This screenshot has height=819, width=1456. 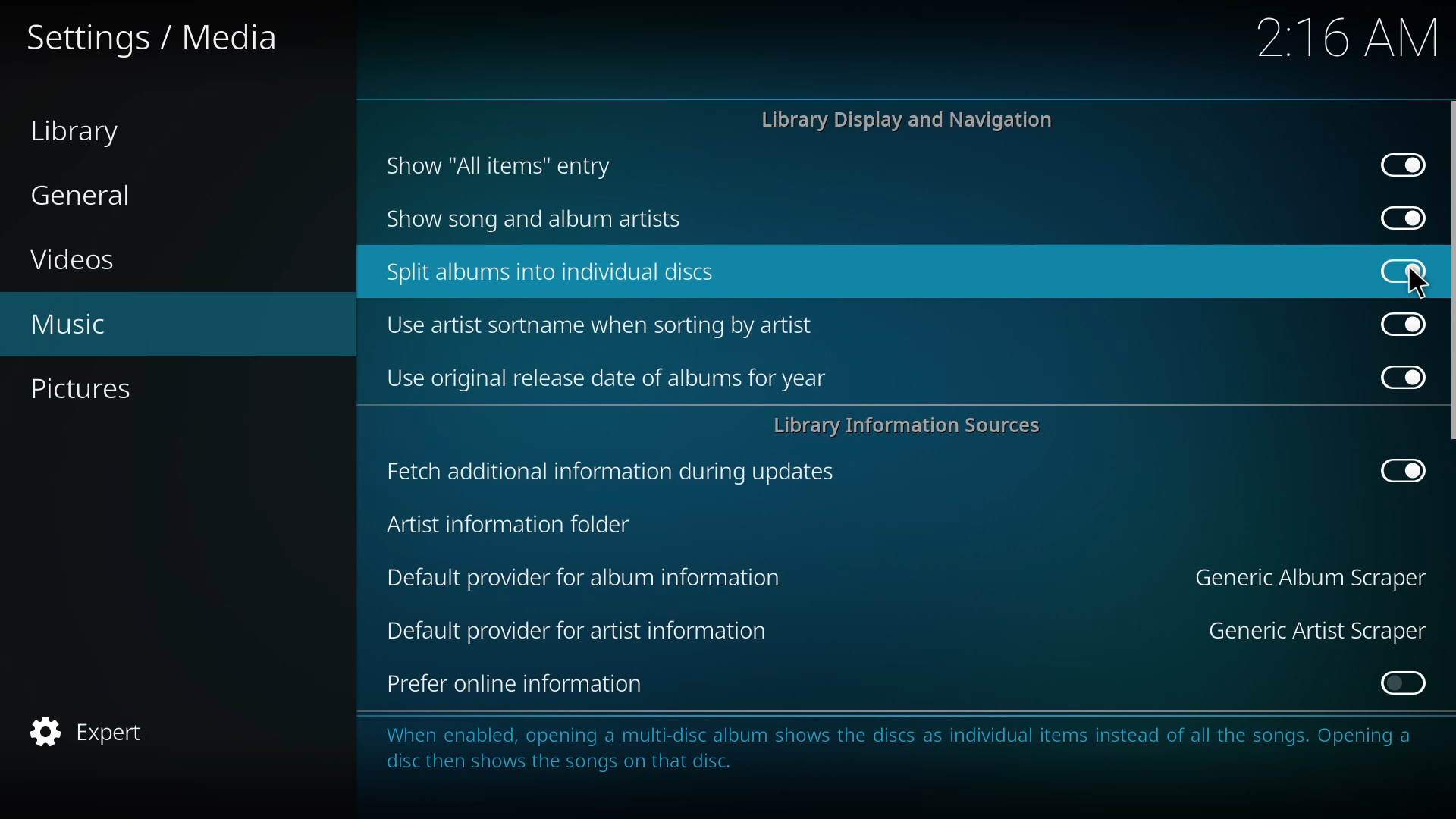 I want to click on info, so click(x=905, y=756).